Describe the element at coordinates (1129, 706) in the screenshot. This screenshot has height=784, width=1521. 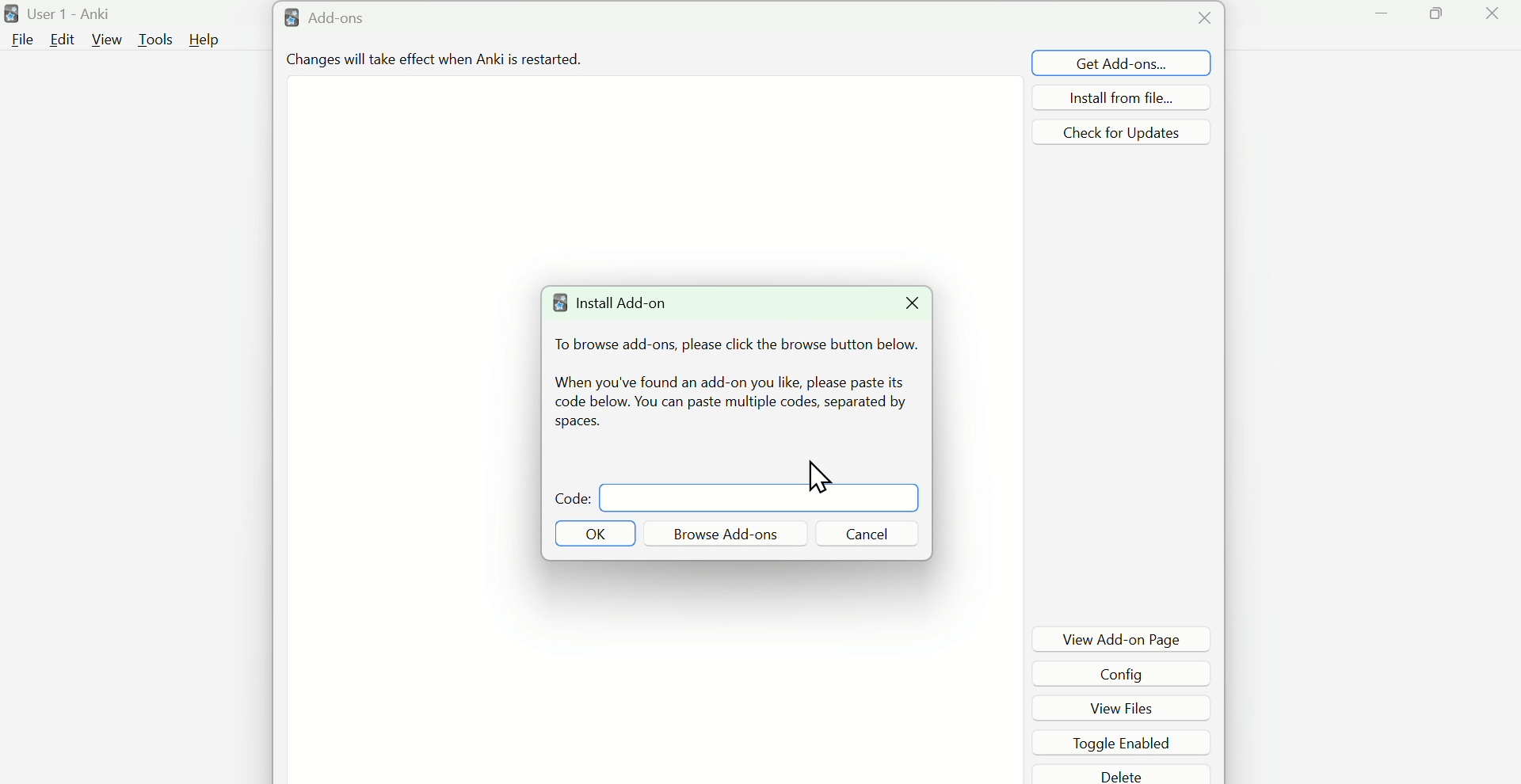
I see `View files` at that location.